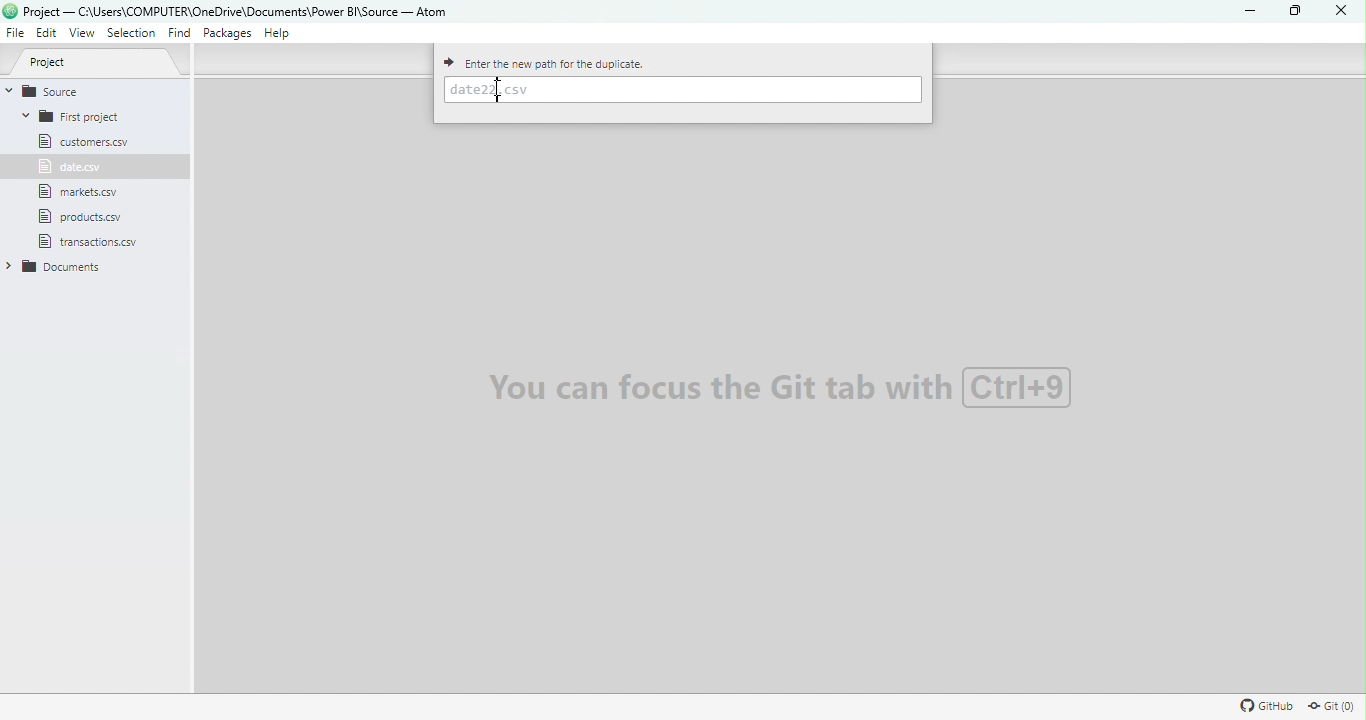 This screenshot has height=720, width=1366. Describe the element at coordinates (79, 116) in the screenshot. I see `Folder` at that location.